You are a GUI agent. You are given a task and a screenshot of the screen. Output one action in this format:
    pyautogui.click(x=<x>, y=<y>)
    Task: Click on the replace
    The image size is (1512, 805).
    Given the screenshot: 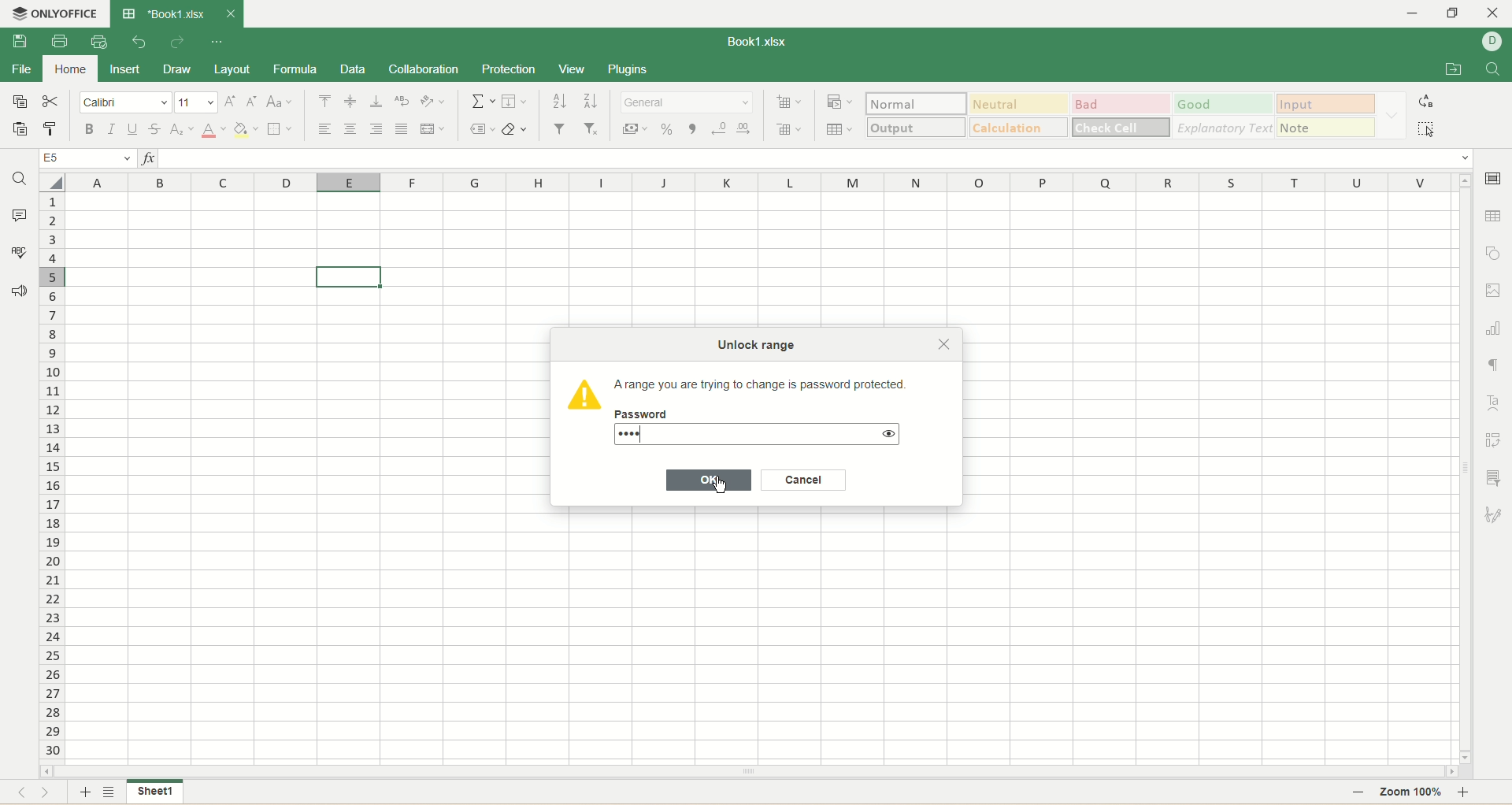 What is the action you would take?
    pyautogui.click(x=1430, y=103)
    